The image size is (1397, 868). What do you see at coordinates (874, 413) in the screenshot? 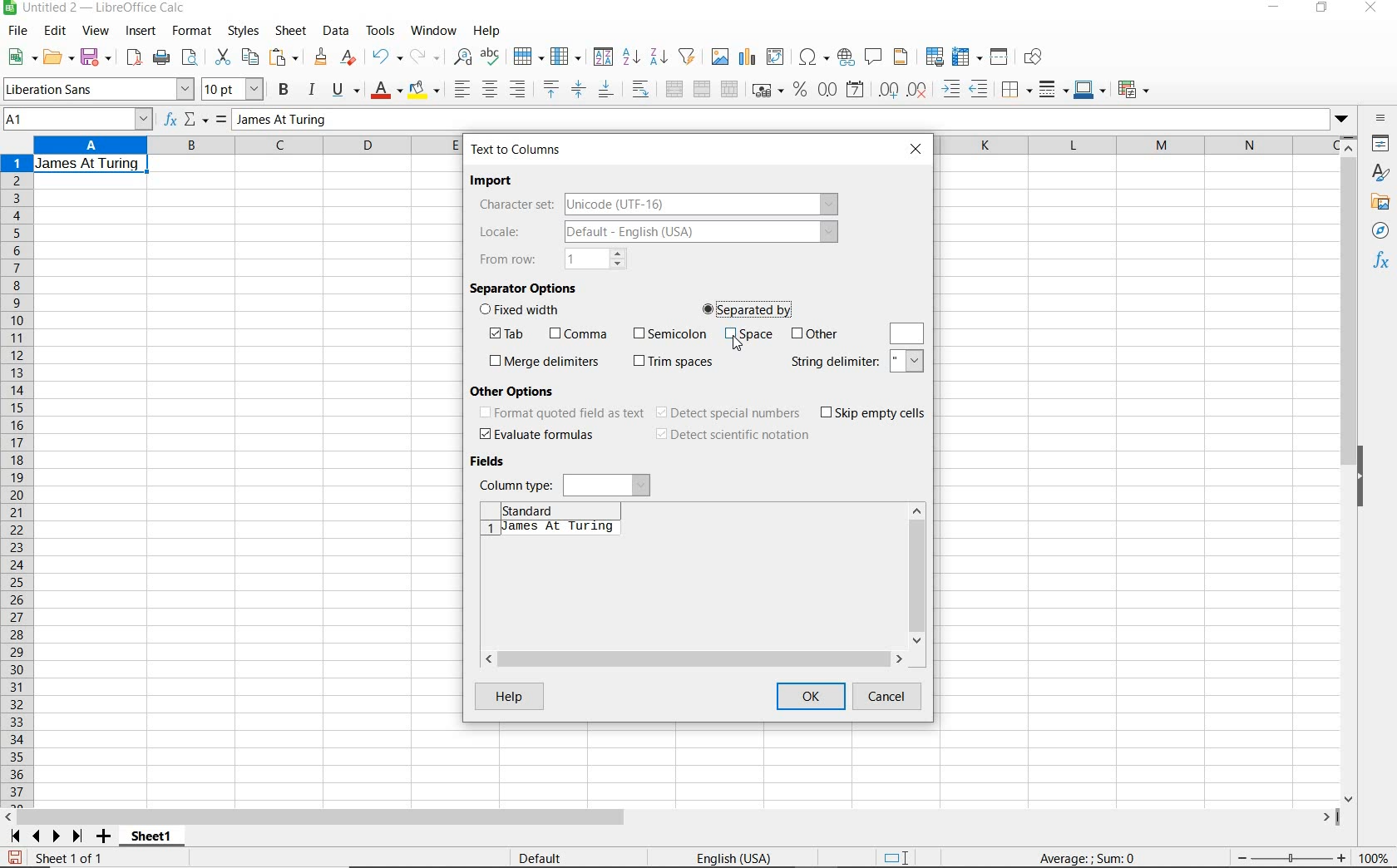
I see `skip empty cells` at bounding box center [874, 413].